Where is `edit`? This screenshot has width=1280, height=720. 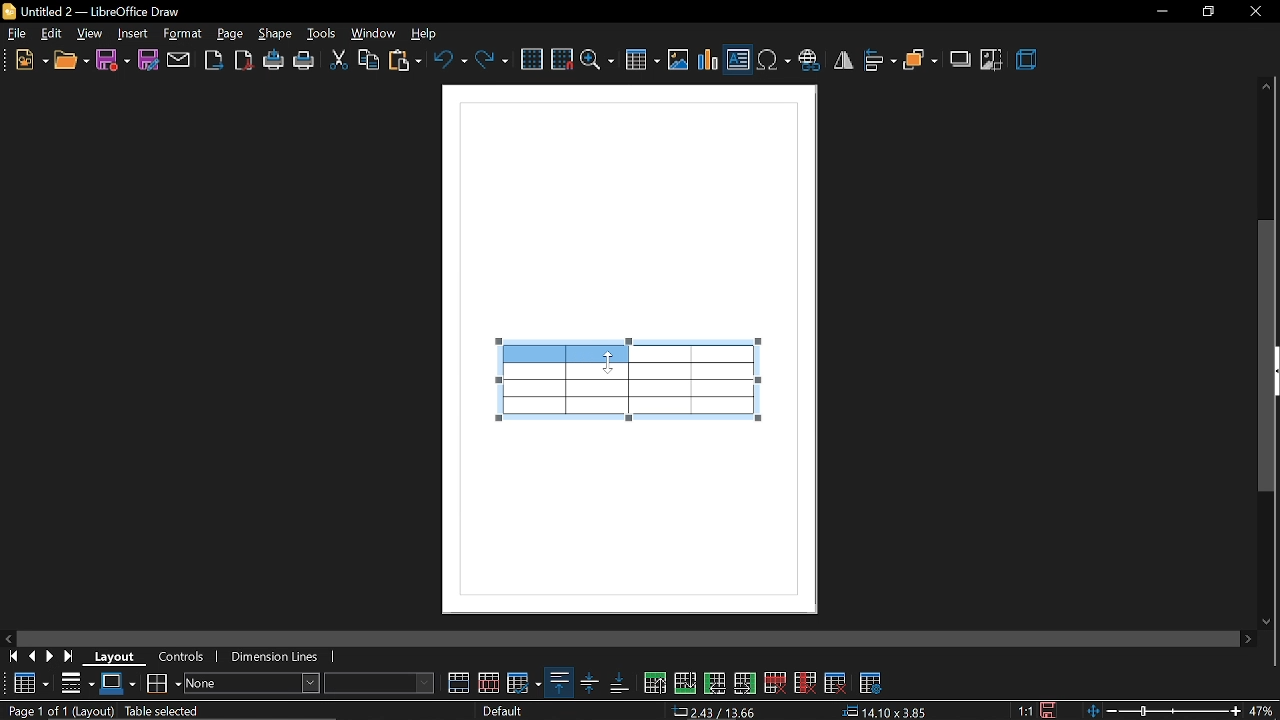 edit is located at coordinates (50, 32).